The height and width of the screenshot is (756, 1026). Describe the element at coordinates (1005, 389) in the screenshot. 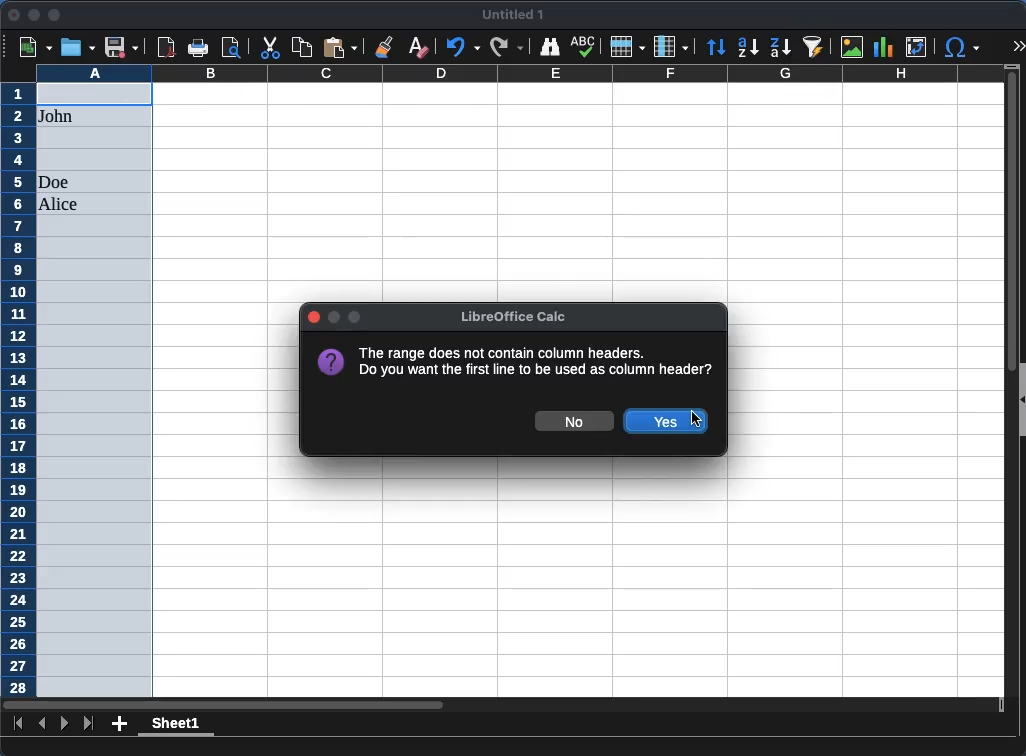

I see `scroll` at that location.